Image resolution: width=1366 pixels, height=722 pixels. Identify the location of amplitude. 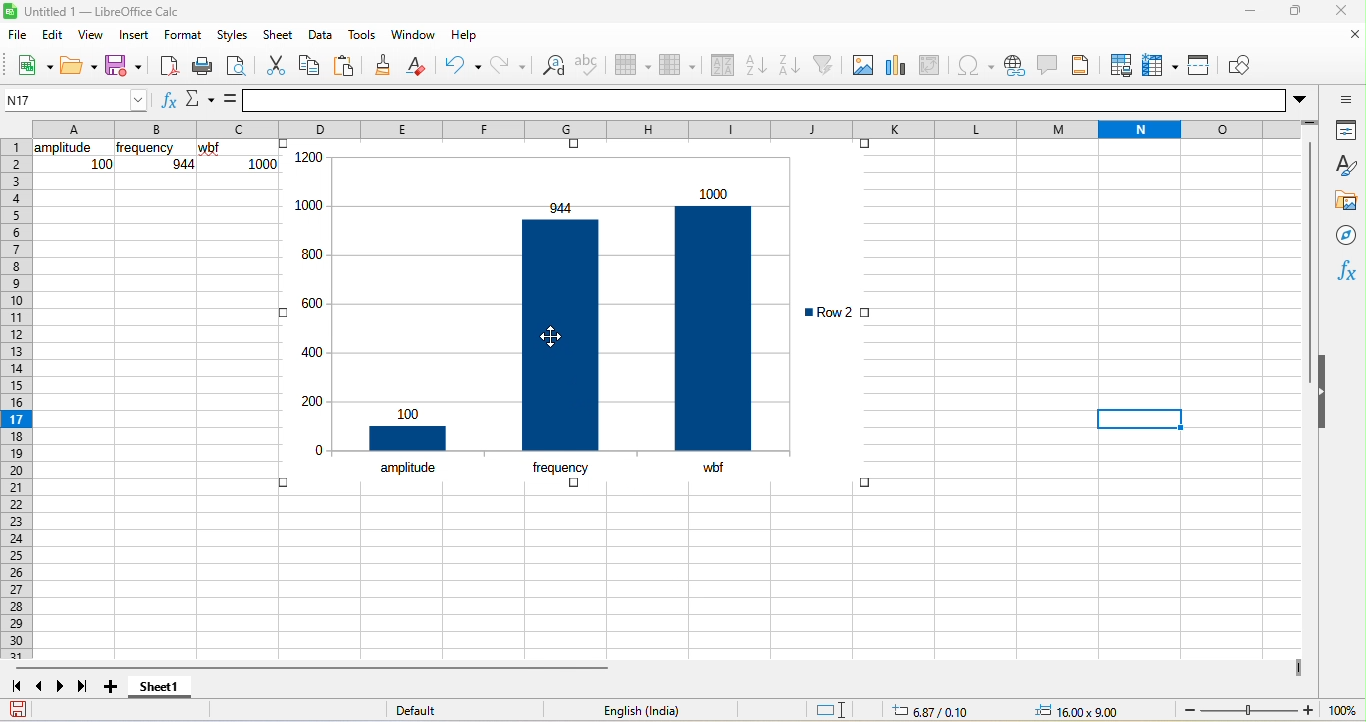
(63, 148).